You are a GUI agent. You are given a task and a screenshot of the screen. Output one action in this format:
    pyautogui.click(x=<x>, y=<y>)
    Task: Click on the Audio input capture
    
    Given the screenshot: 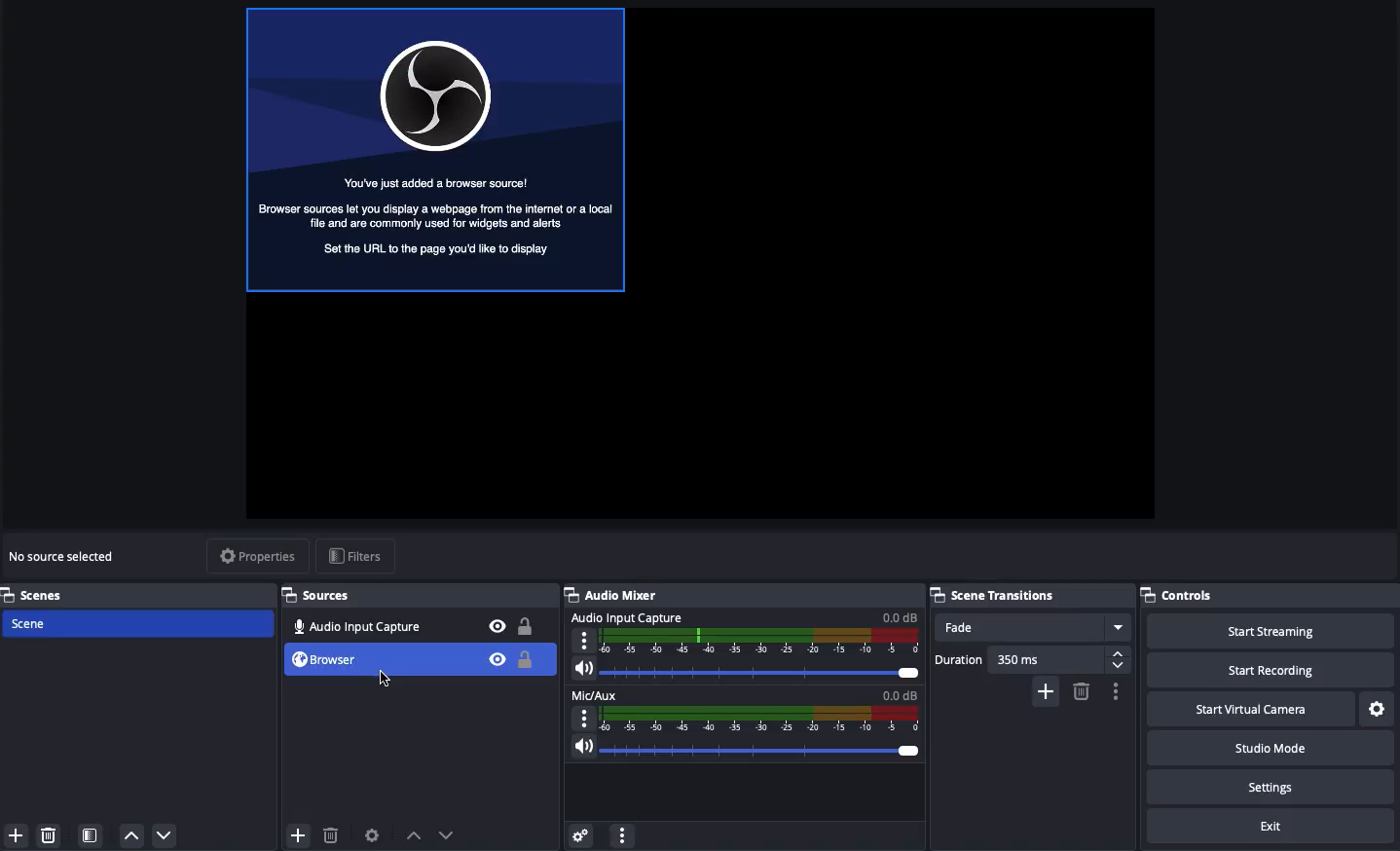 What is the action you would take?
    pyautogui.click(x=745, y=632)
    